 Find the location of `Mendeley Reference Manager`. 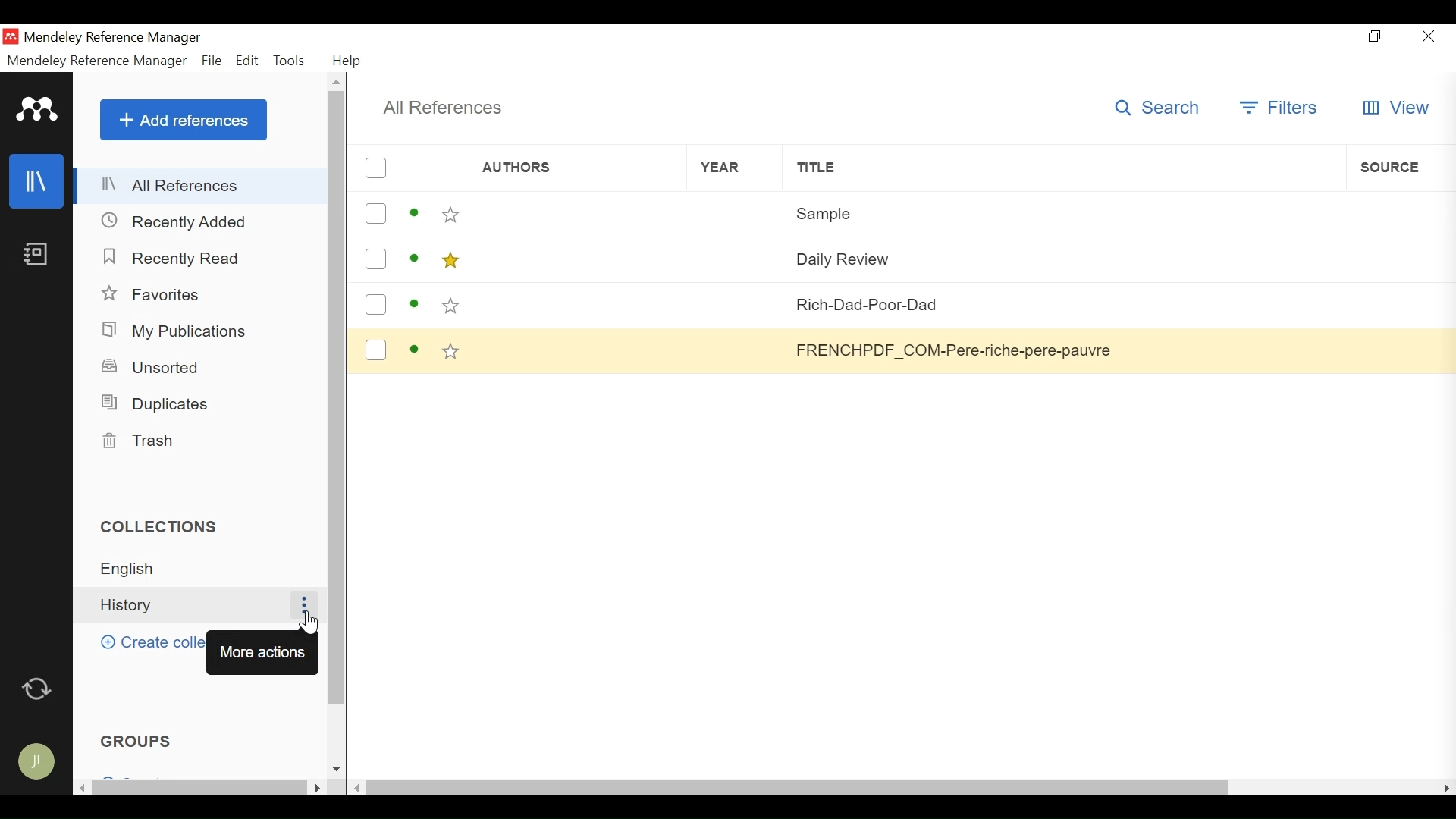

Mendeley Reference Manager is located at coordinates (113, 39).